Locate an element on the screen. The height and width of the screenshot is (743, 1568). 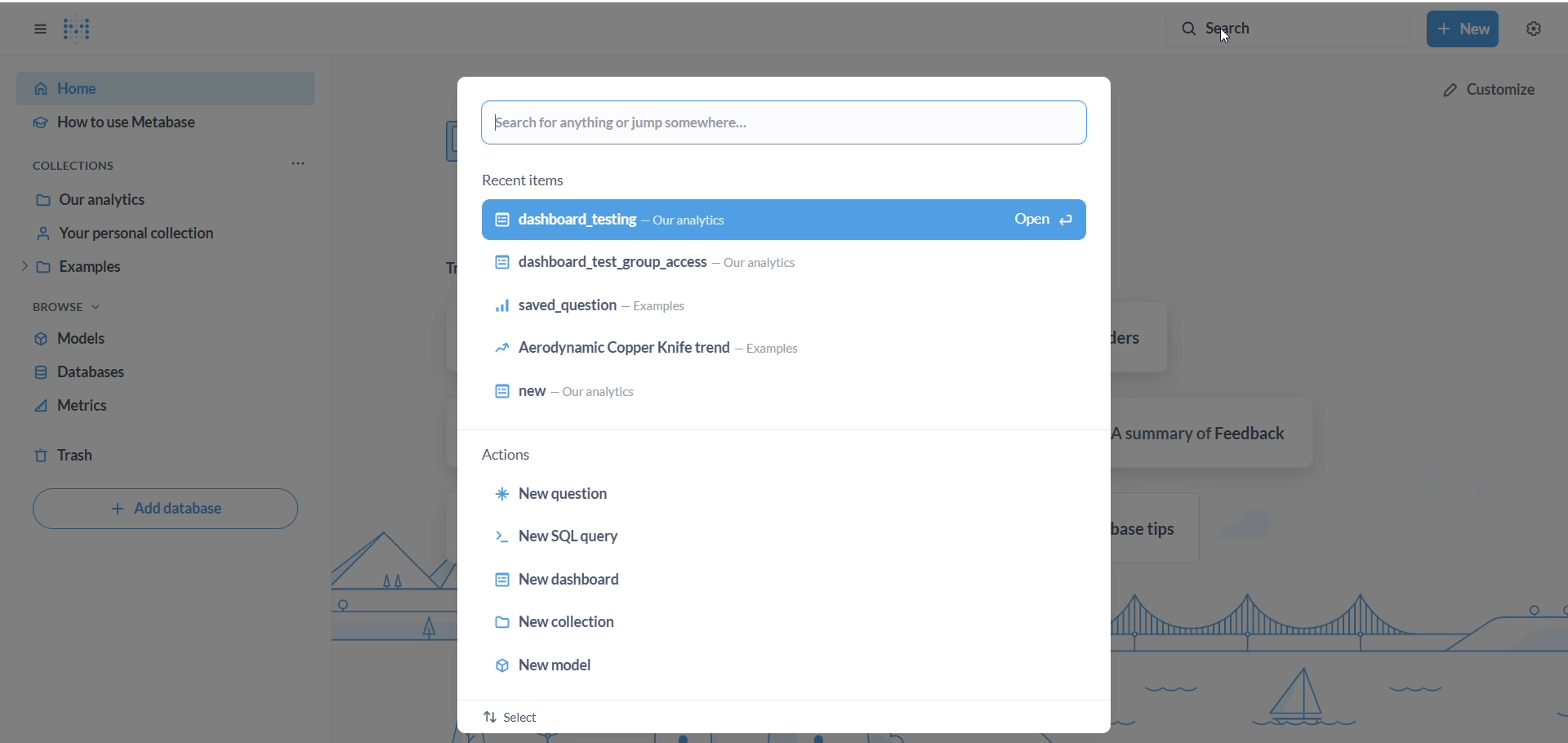
cursor is located at coordinates (1226, 38).